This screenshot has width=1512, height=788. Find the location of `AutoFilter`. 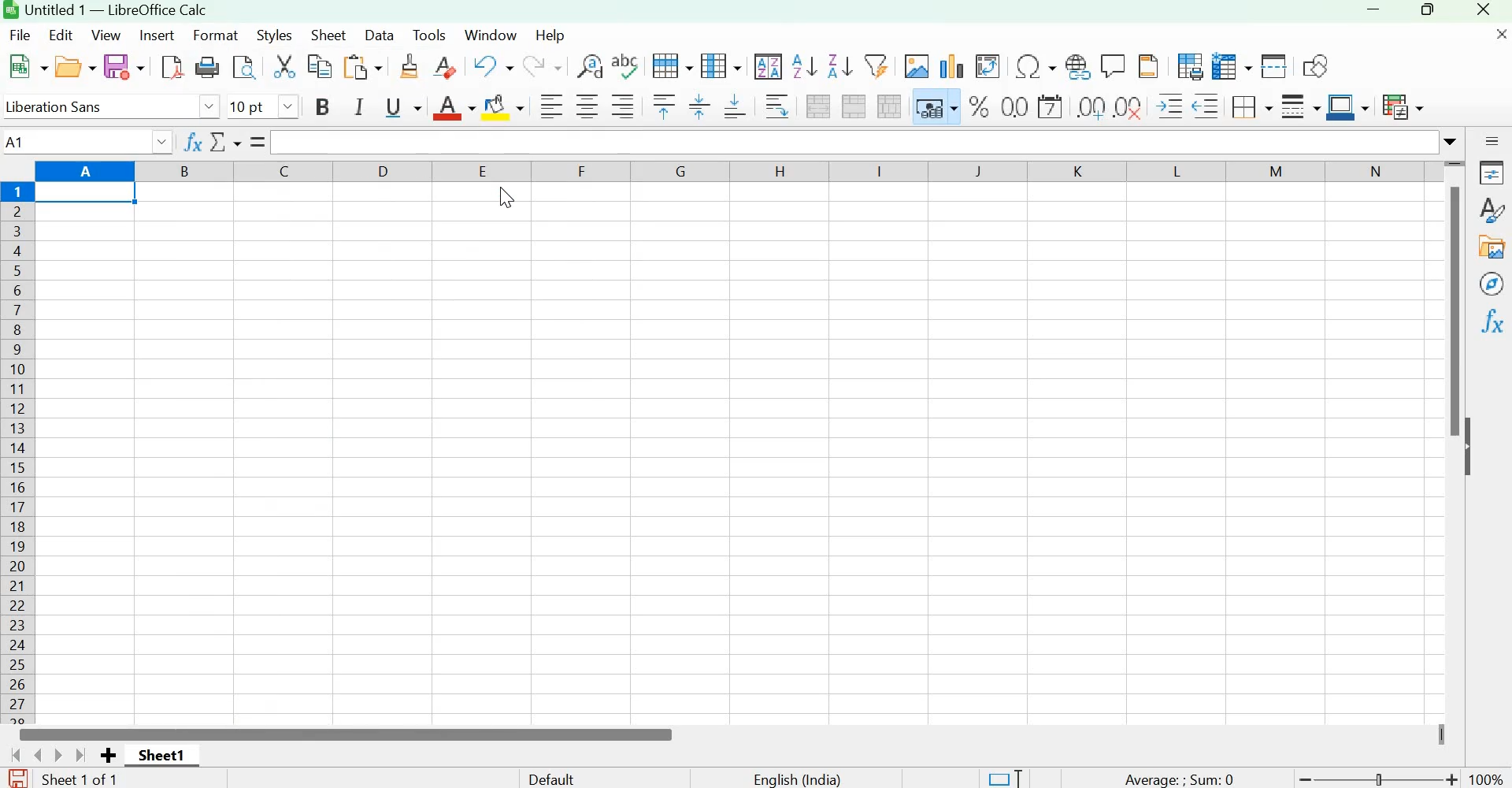

AutoFilter is located at coordinates (875, 64).